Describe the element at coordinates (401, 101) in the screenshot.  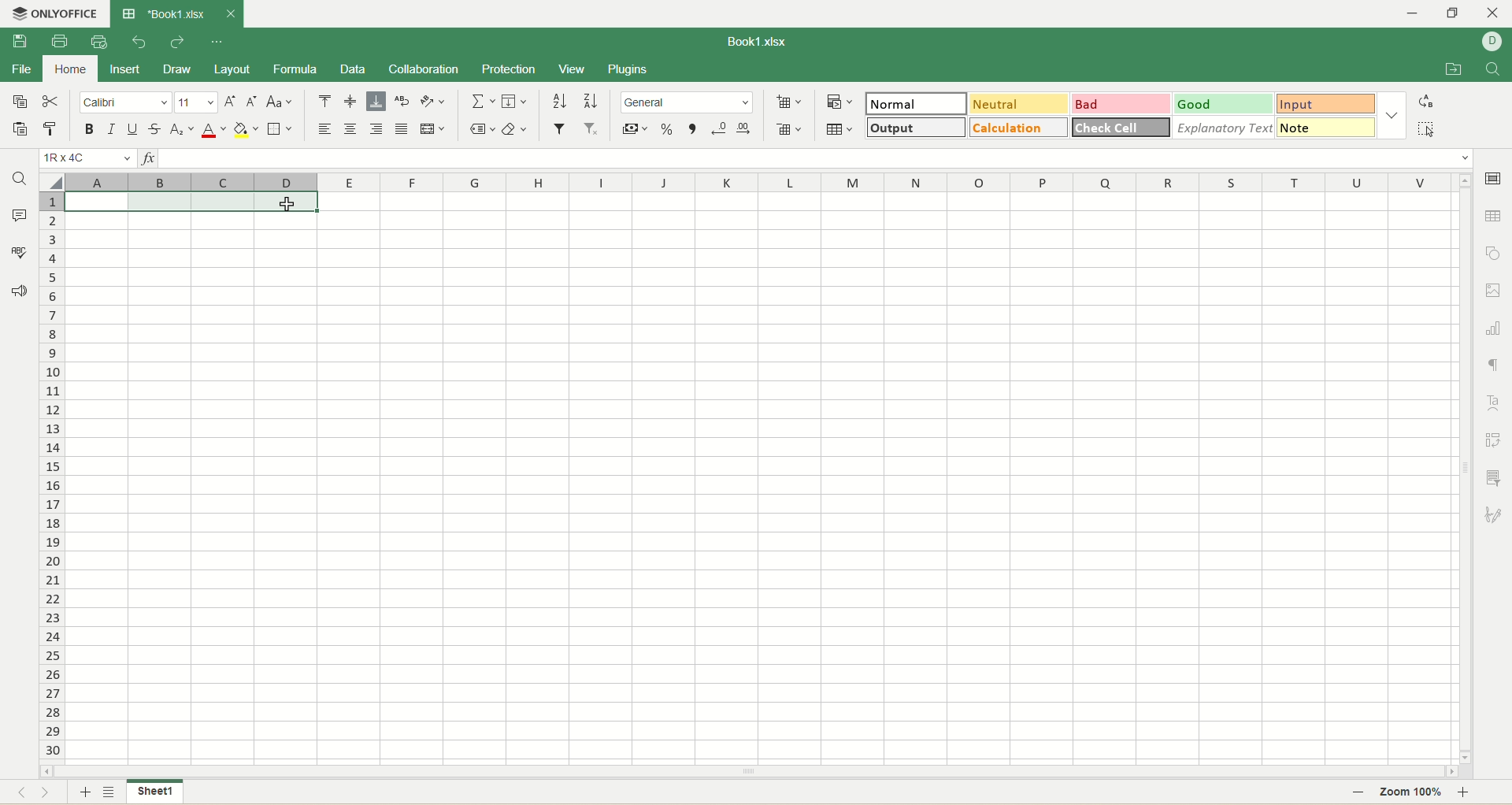
I see `wrap text` at that location.